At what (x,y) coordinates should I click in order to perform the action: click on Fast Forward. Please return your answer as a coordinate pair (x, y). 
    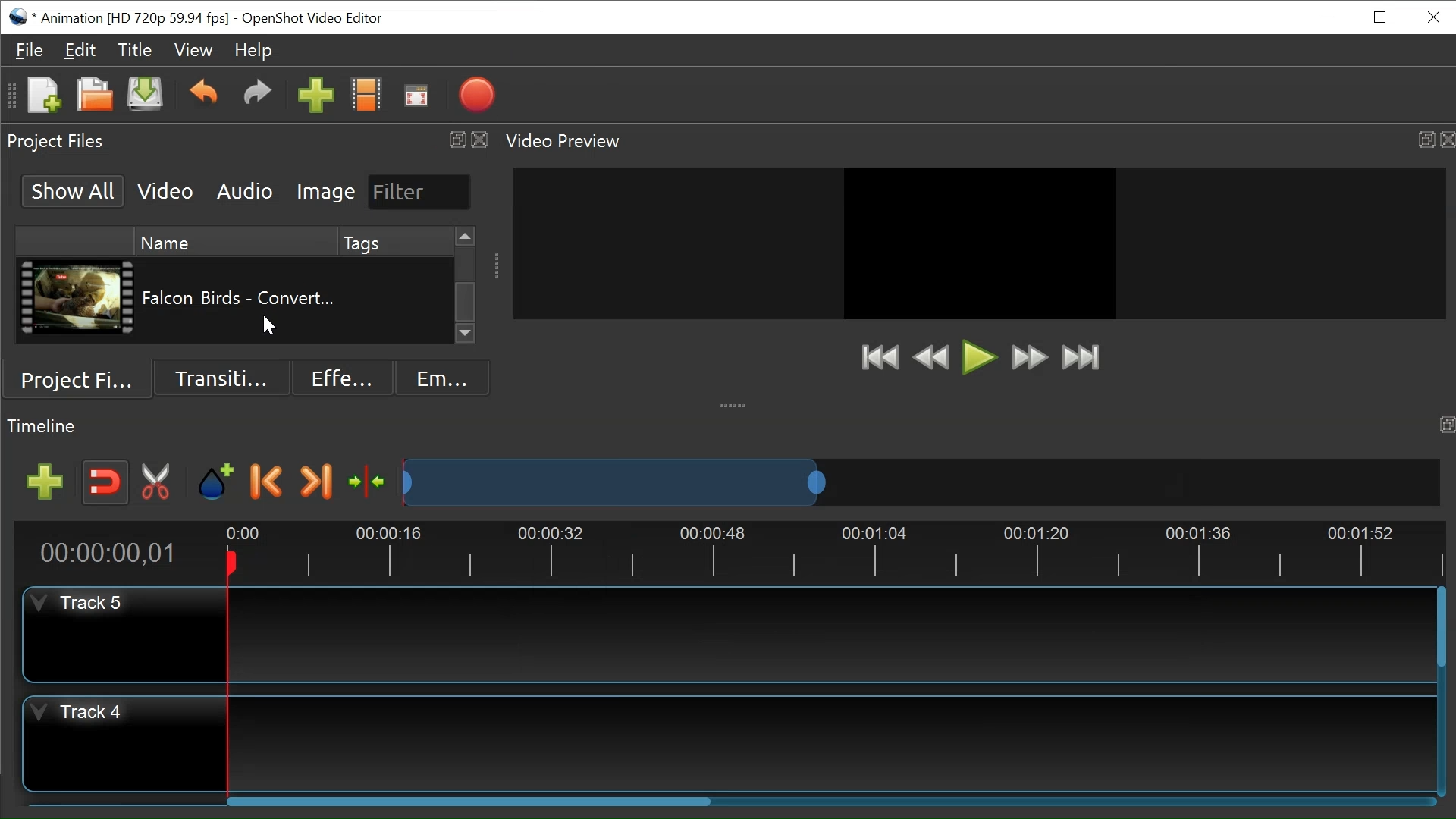
    Looking at the image, I should click on (1030, 357).